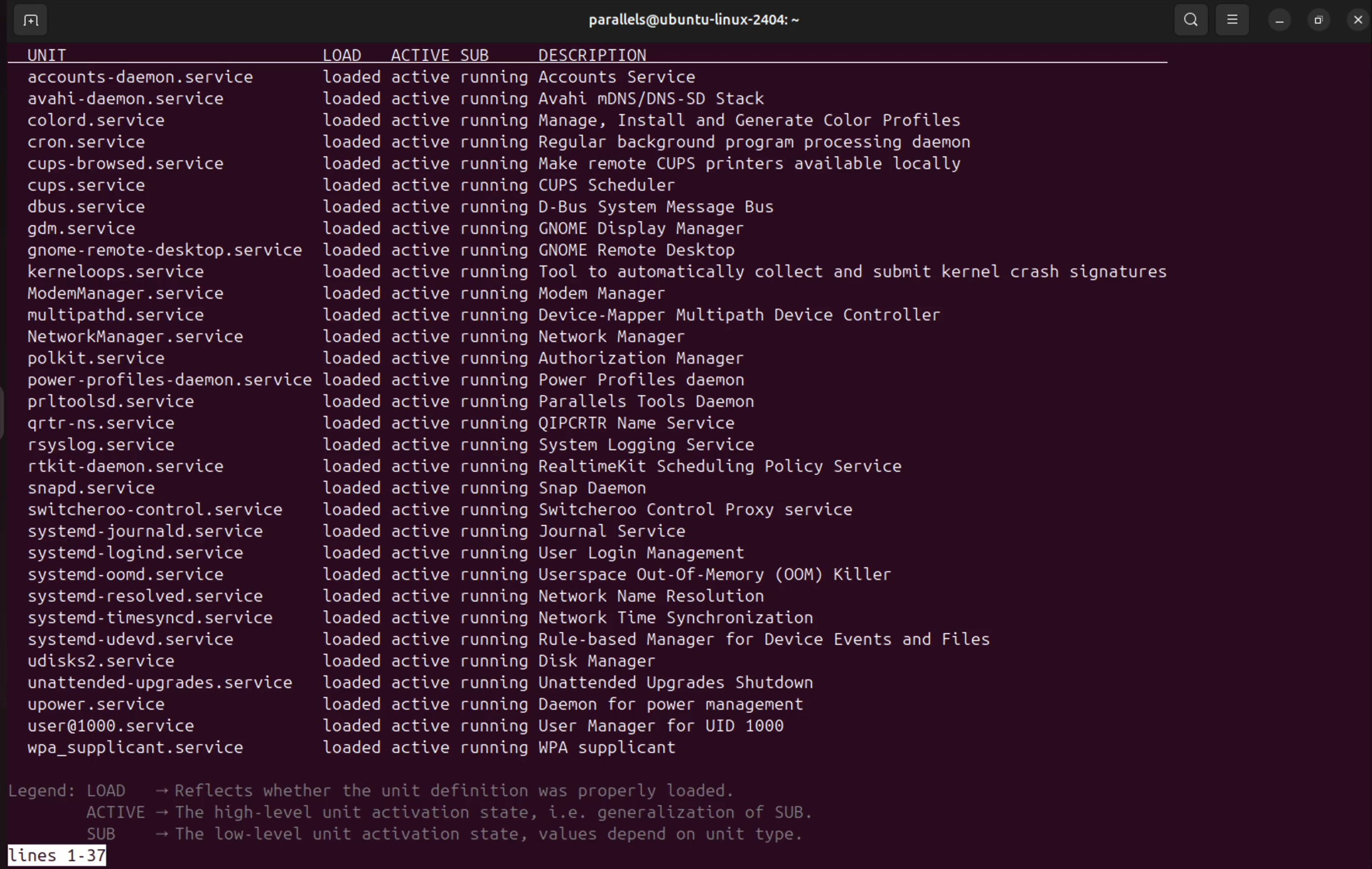  What do you see at coordinates (600, 362) in the screenshot?
I see `active running authorization manager` at bounding box center [600, 362].